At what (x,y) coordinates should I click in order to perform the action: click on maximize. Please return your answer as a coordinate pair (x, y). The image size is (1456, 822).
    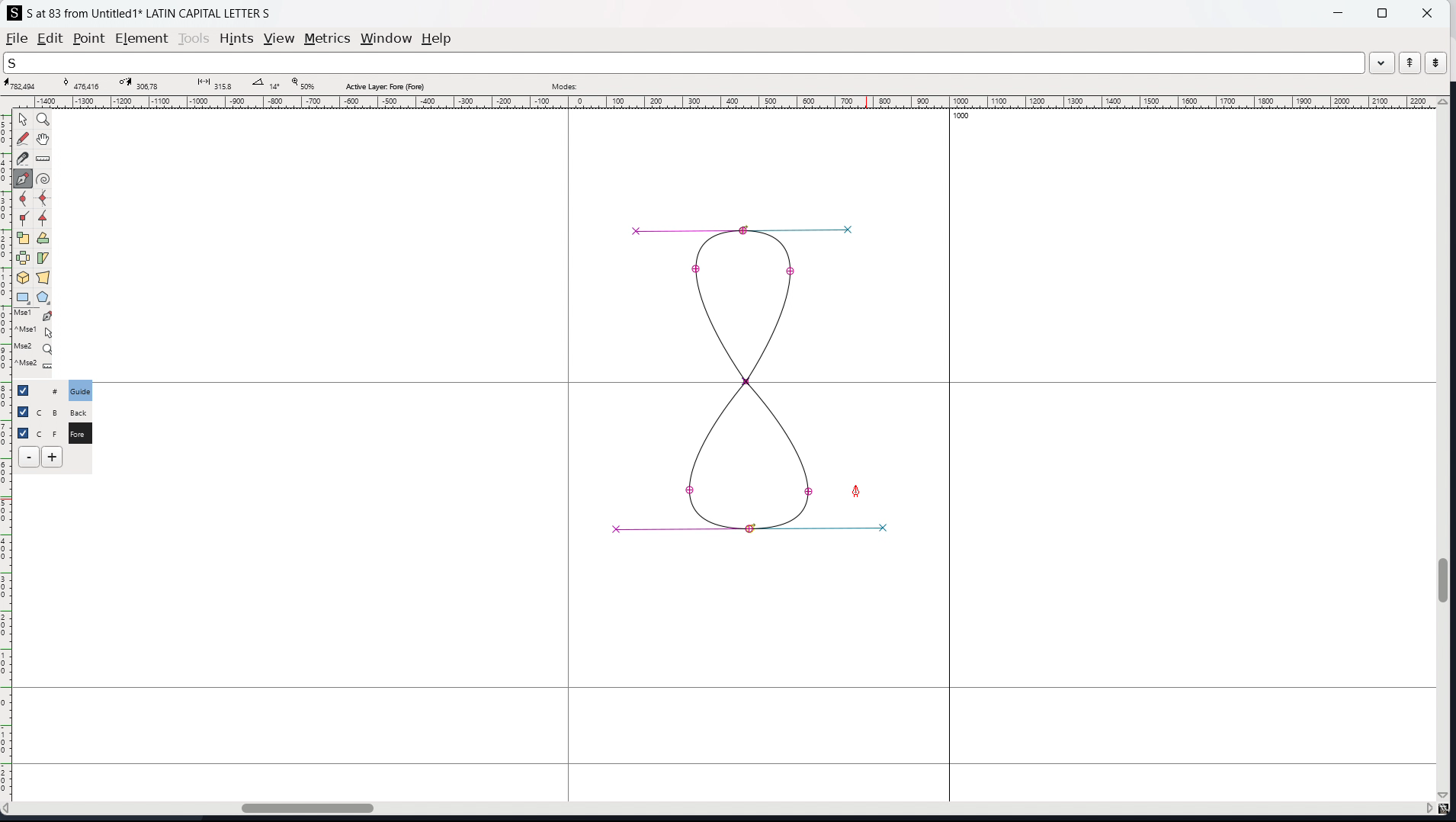
    Looking at the image, I should click on (1382, 12).